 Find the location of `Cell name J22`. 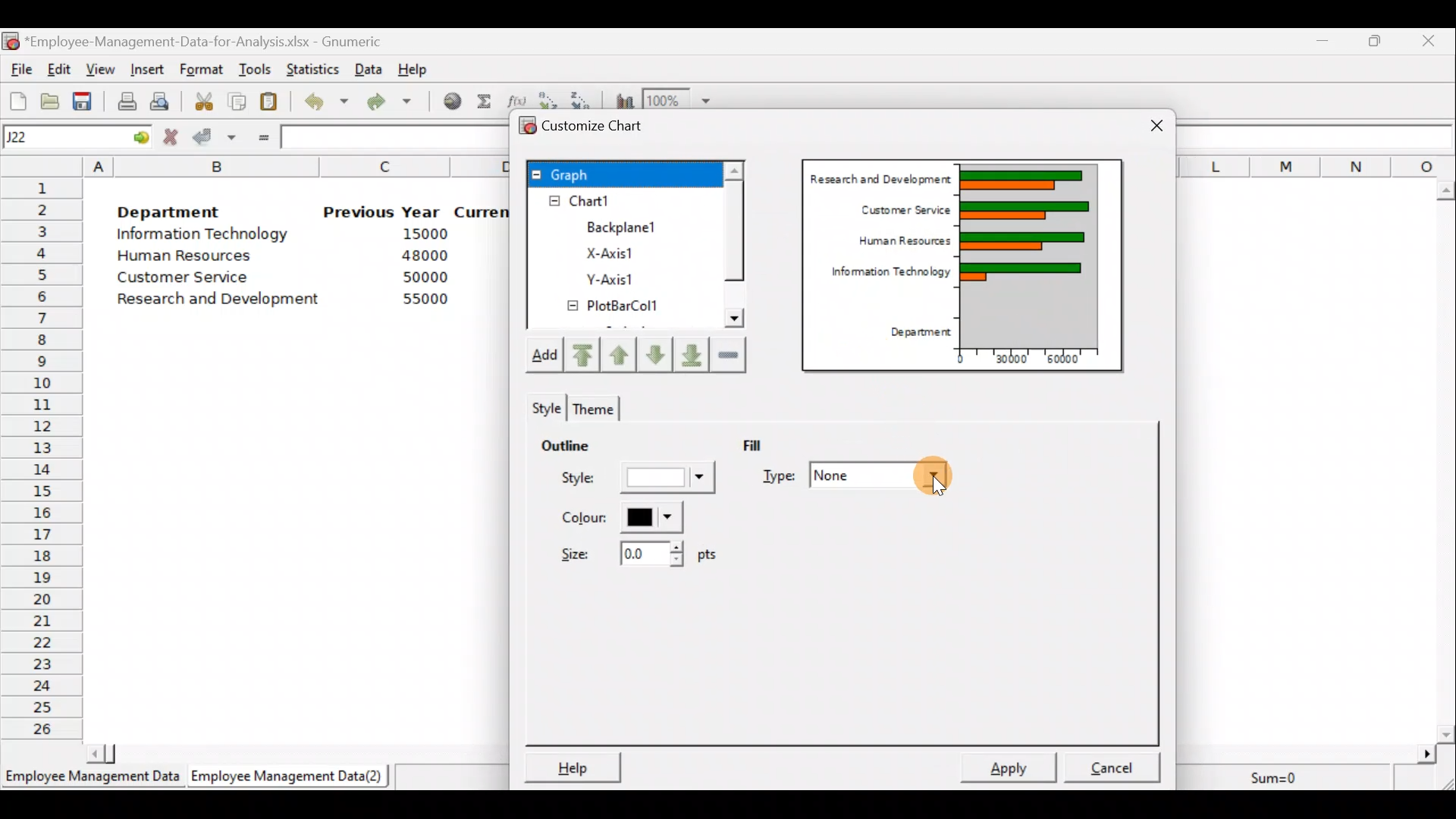

Cell name J22 is located at coordinates (58, 137).